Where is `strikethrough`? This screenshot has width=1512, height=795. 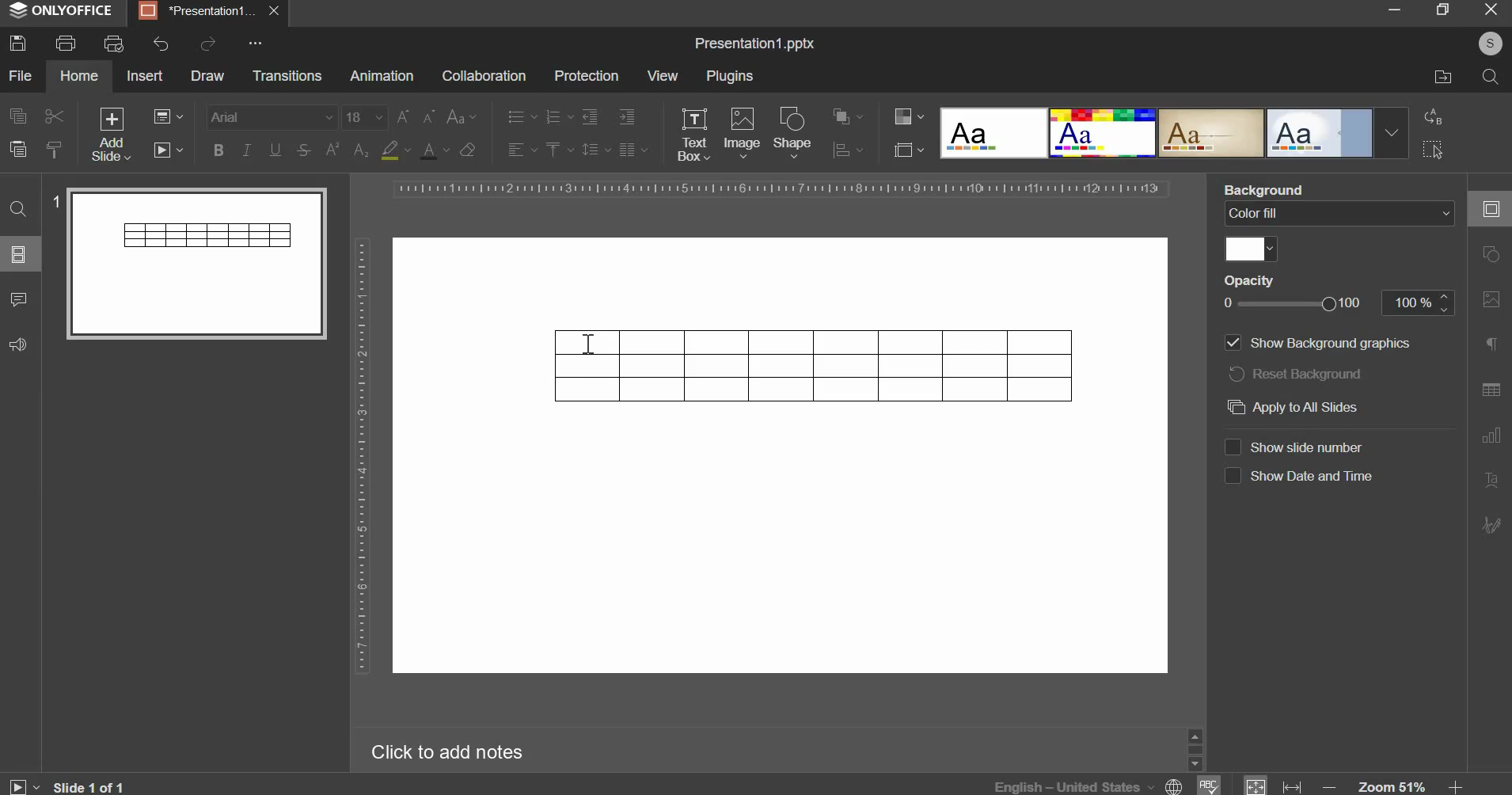
strikethrough is located at coordinates (302, 150).